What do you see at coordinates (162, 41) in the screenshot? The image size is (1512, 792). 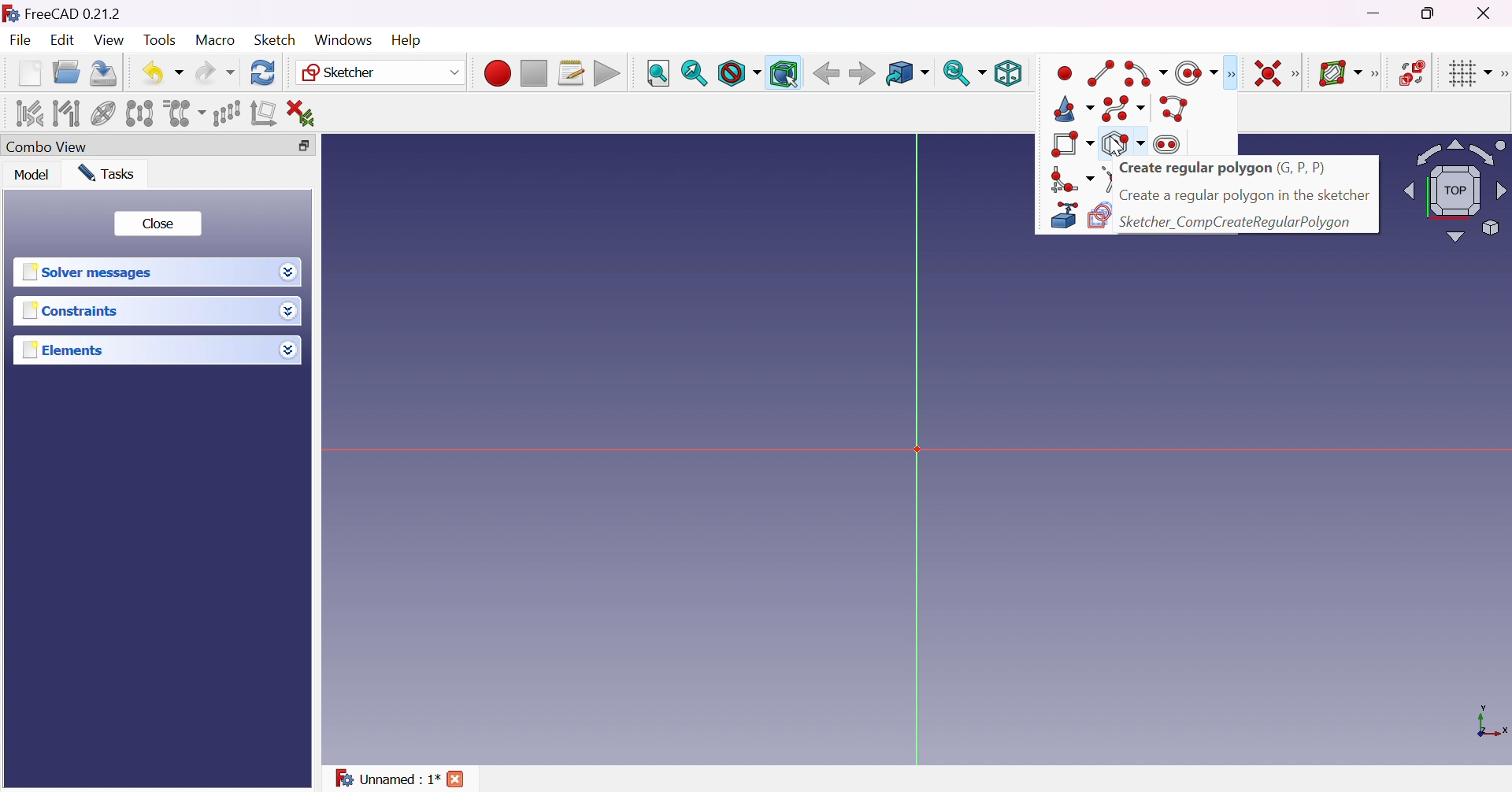 I see `Tools` at bounding box center [162, 41].